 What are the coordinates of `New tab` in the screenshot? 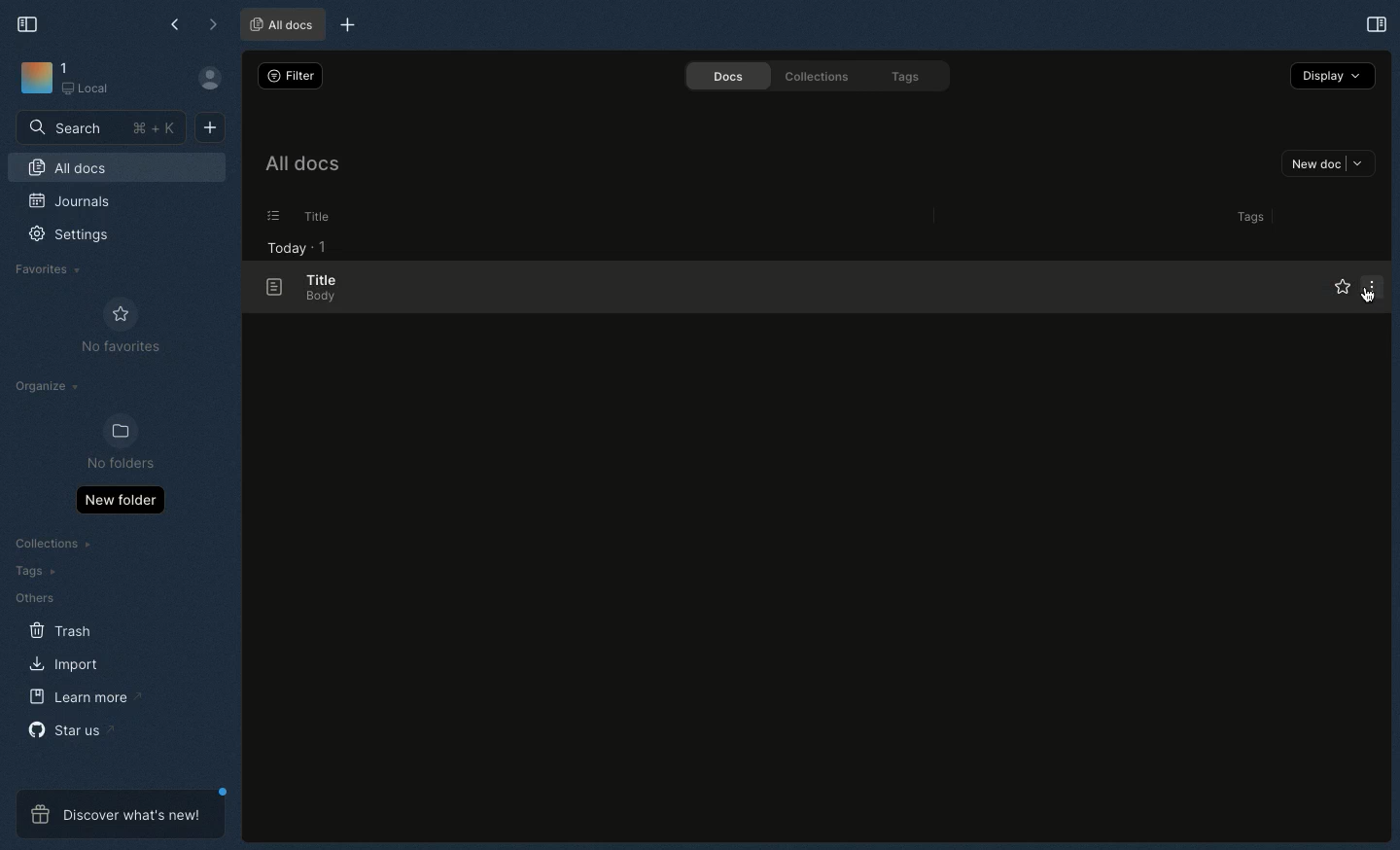 It's located at (344, 26).